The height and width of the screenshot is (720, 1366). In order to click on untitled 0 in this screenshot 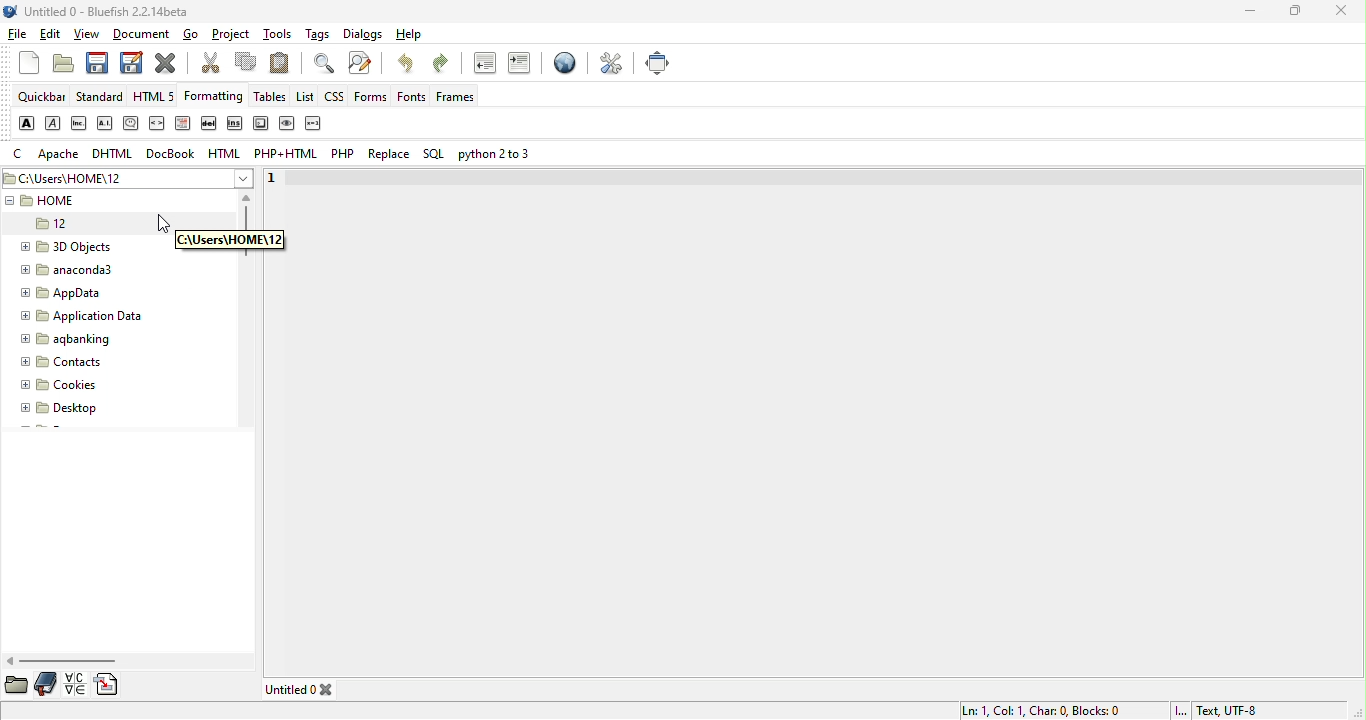, I will do `click(304, 690)`.